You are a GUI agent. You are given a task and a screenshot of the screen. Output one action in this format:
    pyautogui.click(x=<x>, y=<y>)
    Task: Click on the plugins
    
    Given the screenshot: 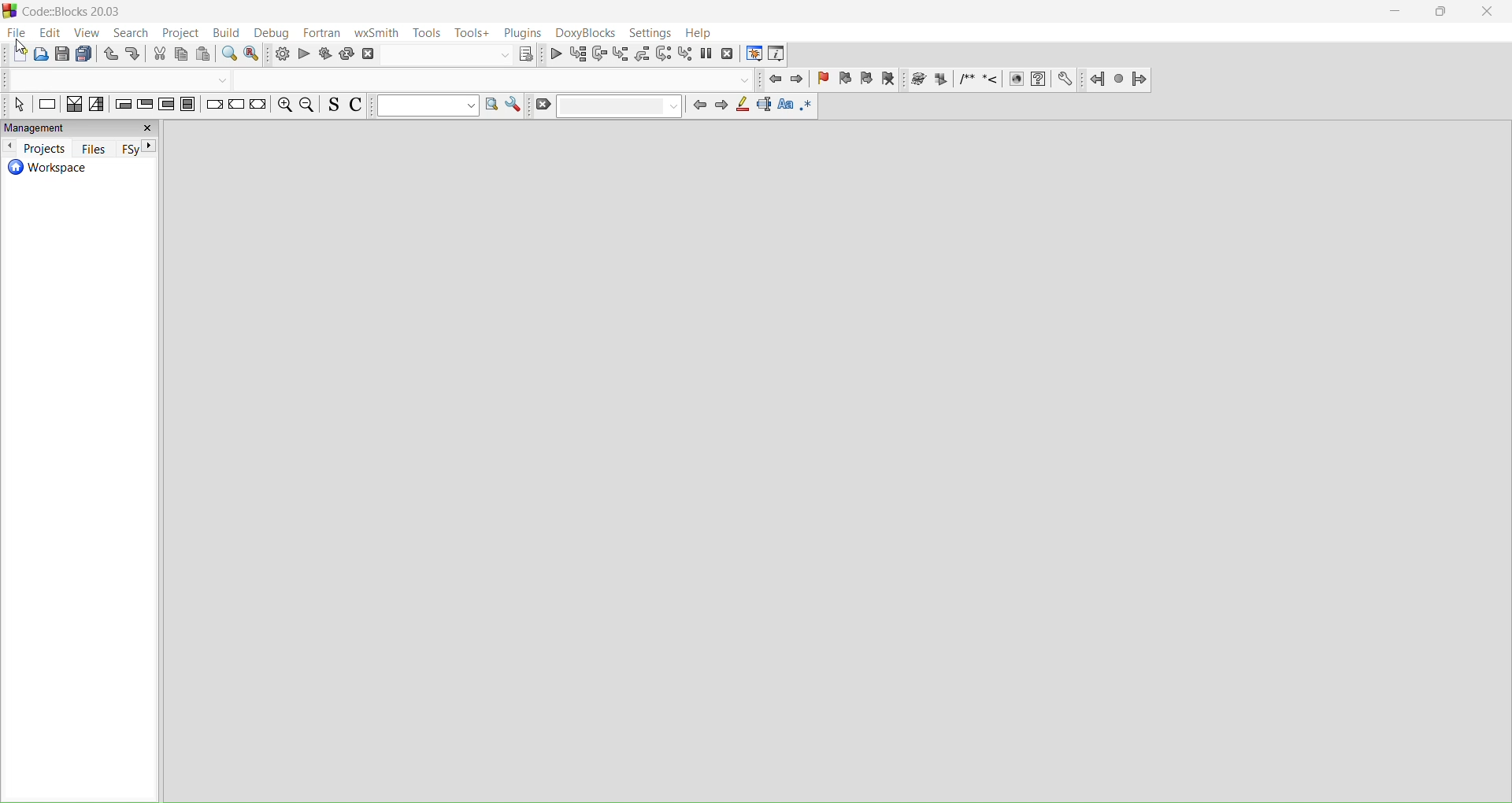 What is the action you would take?
    pyautogui.click(x=524, y=33)
    